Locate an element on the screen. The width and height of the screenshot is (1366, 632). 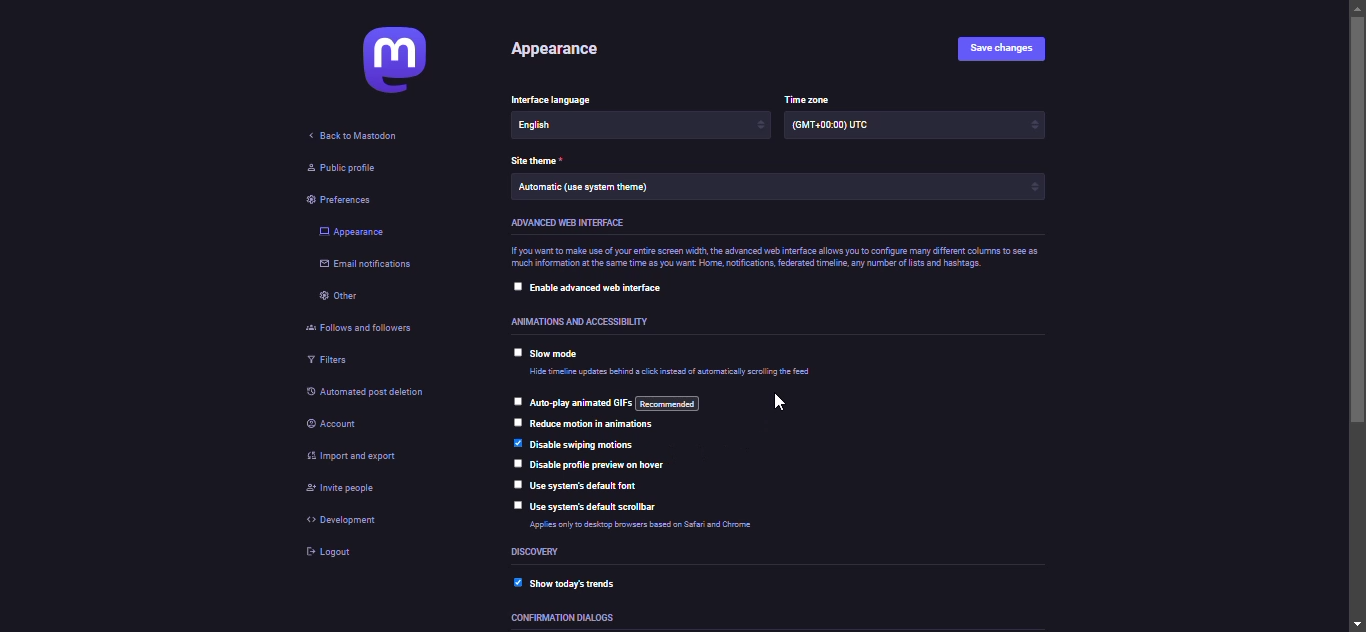
click to select is located at coordinates (517, 503).